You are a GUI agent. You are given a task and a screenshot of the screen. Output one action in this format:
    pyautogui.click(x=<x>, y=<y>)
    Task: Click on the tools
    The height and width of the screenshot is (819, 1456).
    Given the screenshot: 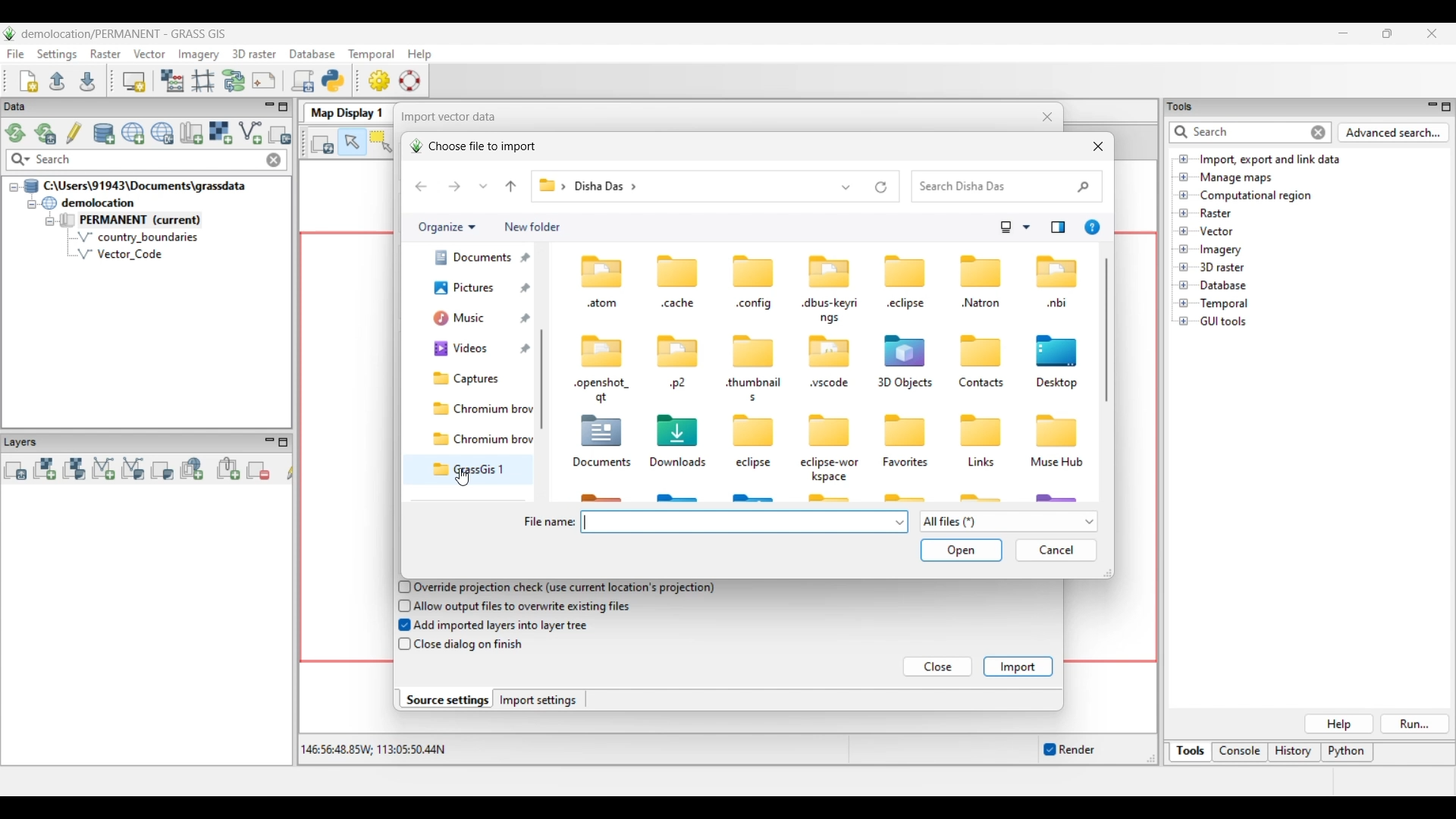 What is the action you would take?
    pyautogui.click(x=1185, y=105)
    